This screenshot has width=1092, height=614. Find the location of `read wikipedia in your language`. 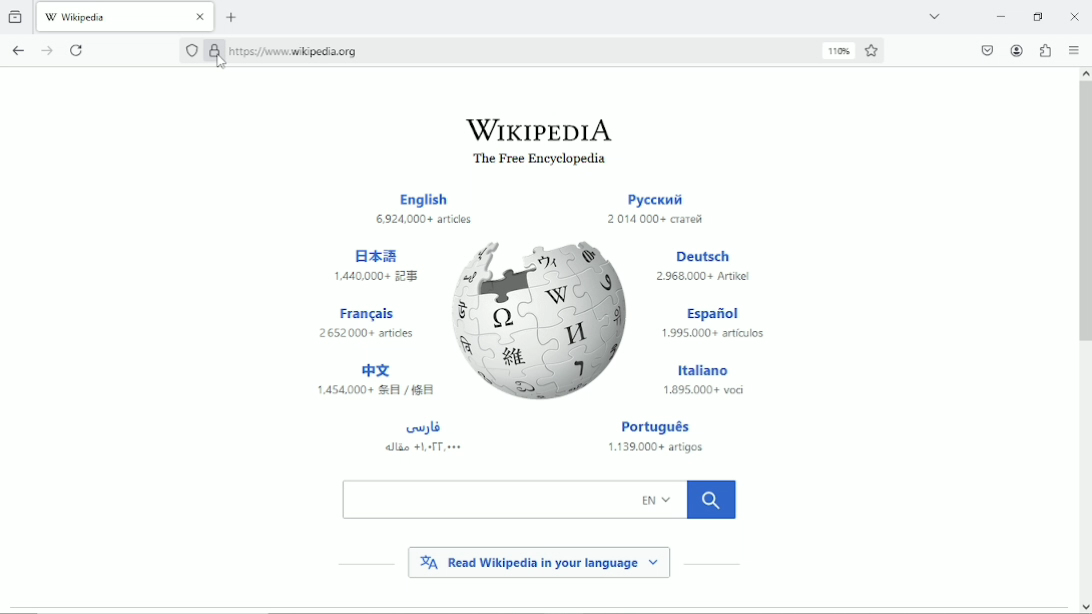

read wikipedia in your language is located at coordinates (539, 561).